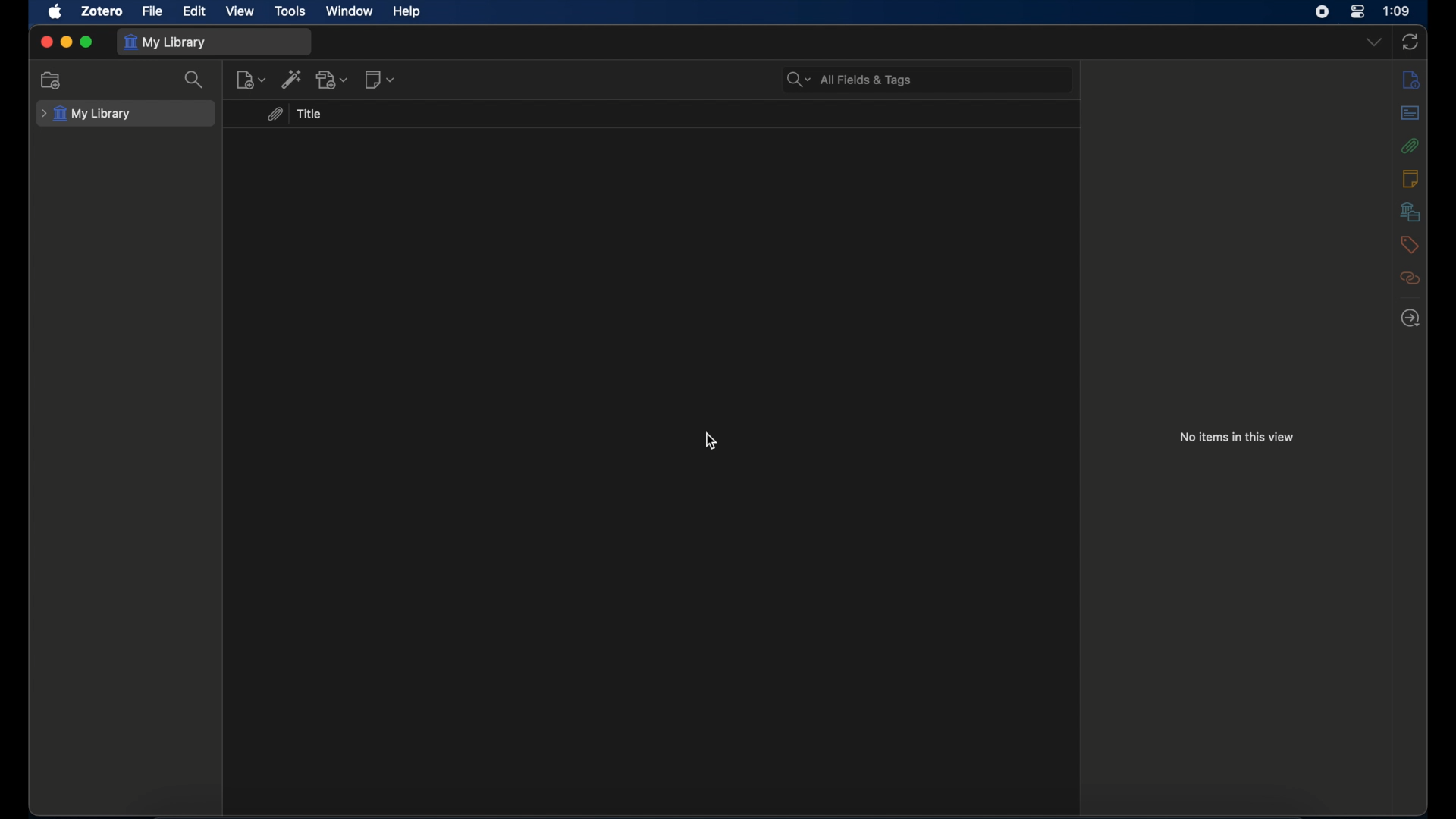 This screenshot has width=1456, height=819. Describe the element at coordinates (379, 80) in the screenshot. I see `new notes` at that location.